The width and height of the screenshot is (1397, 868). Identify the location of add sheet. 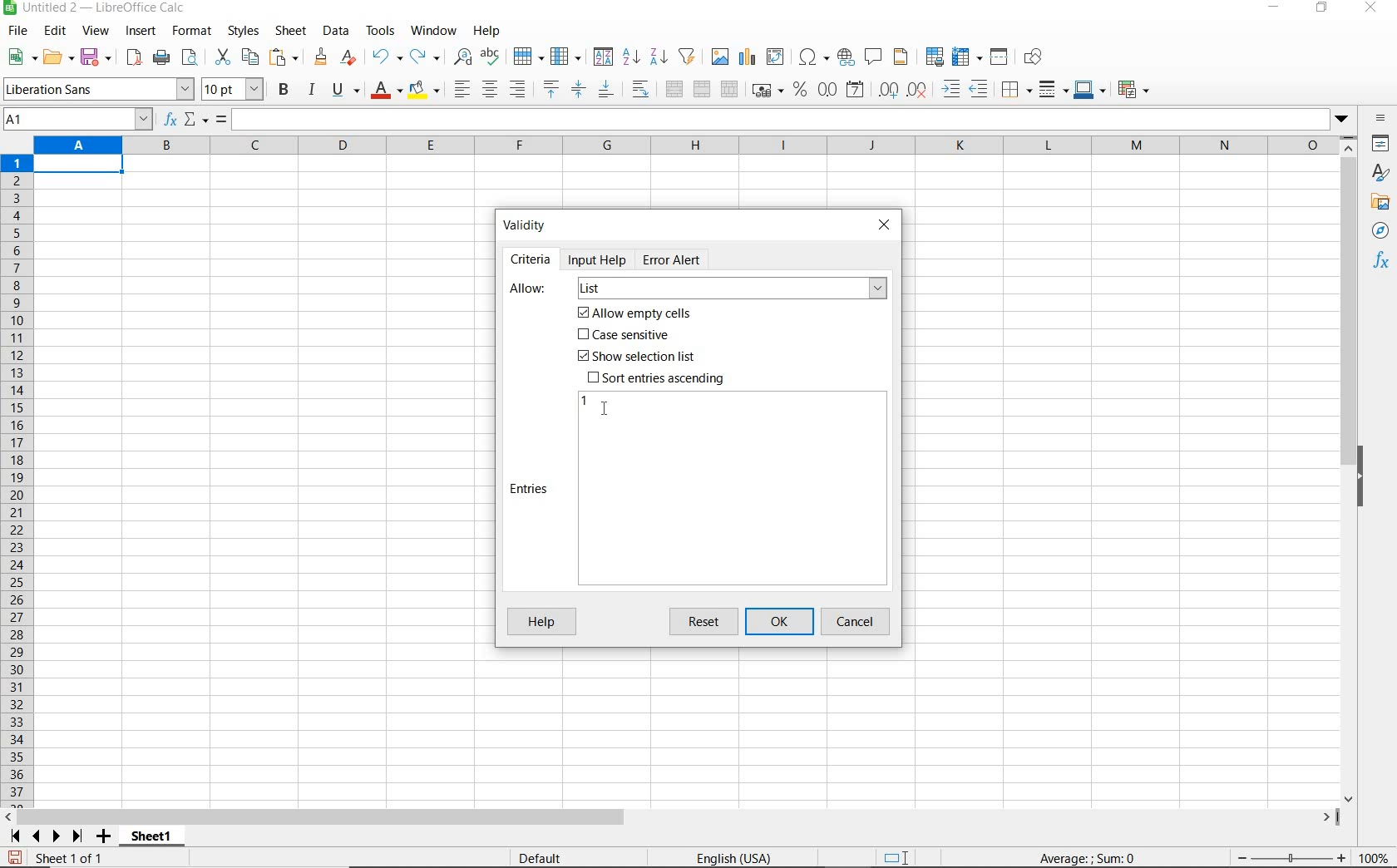
(101, 838).